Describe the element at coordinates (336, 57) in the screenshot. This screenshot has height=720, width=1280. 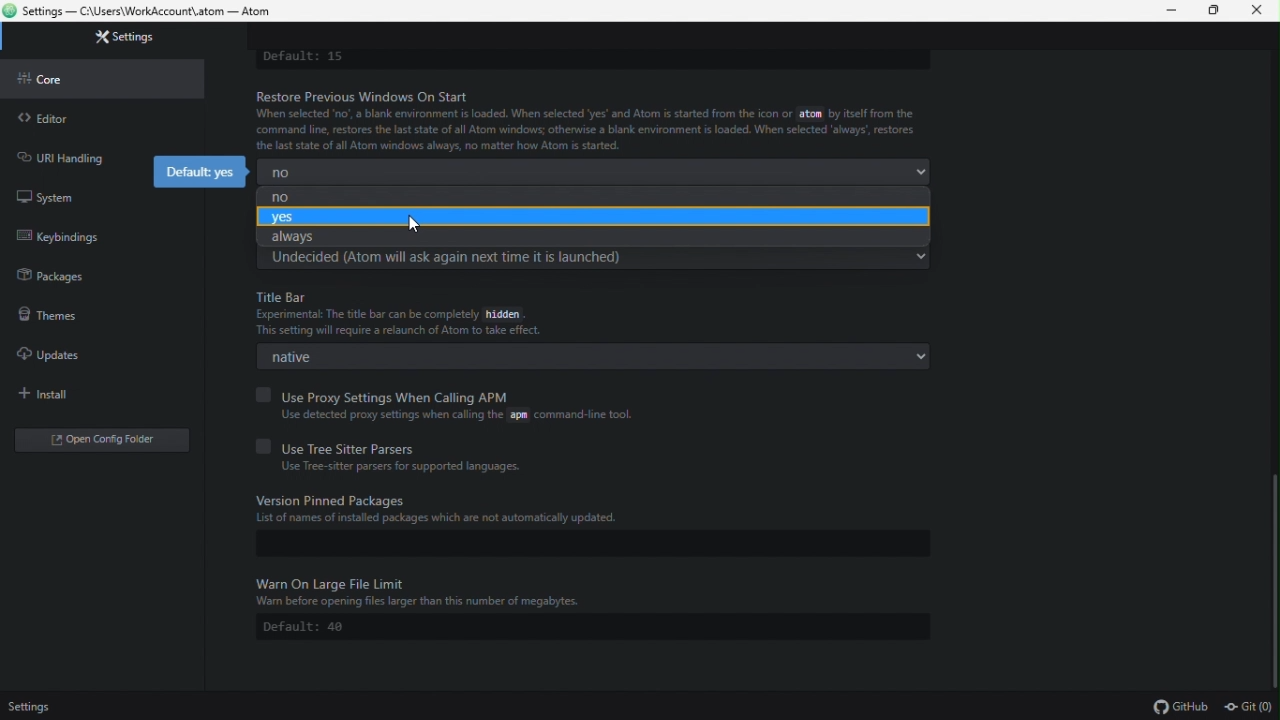
I see `default:15` at that location.